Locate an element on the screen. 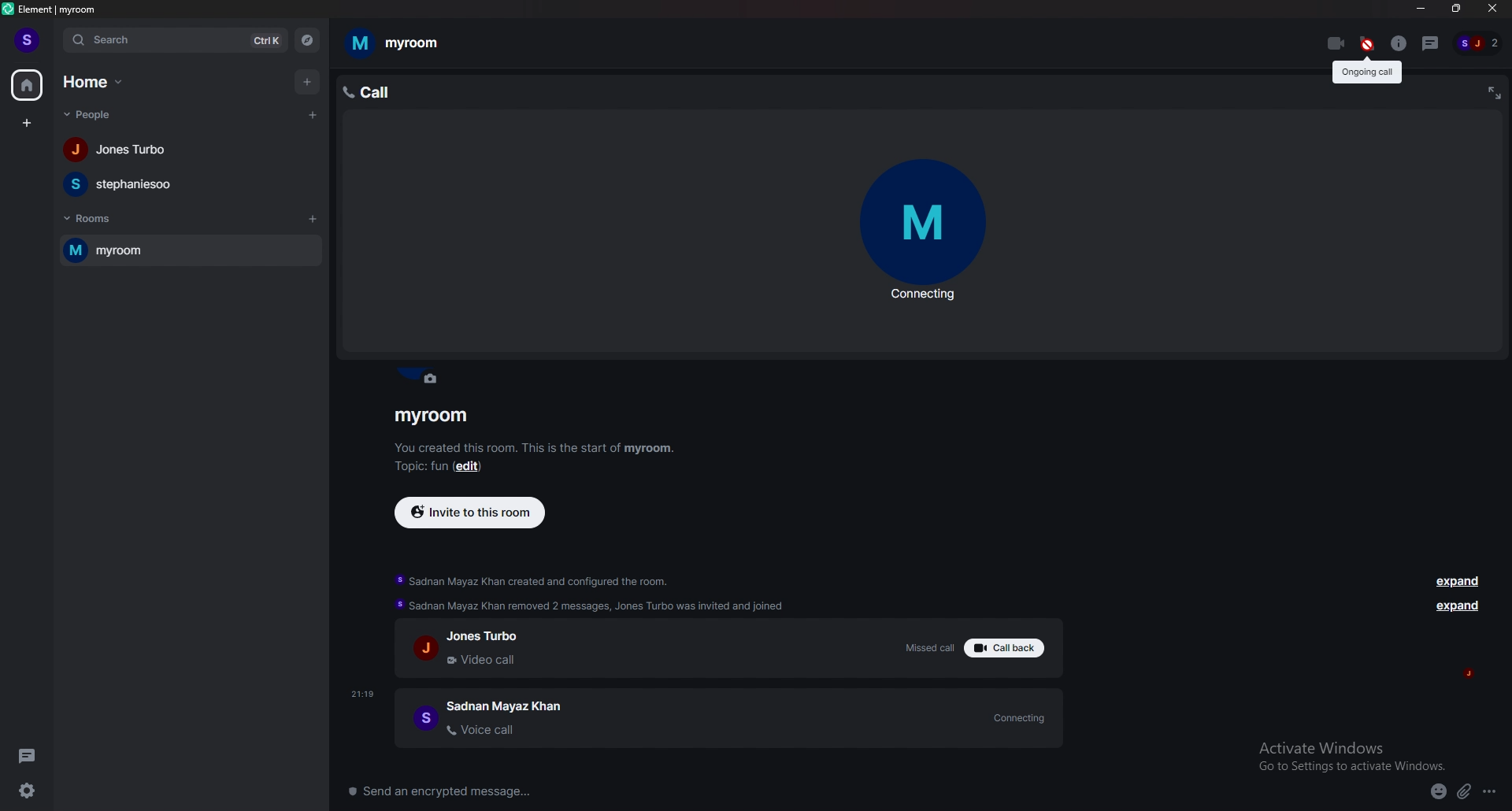 This screenshot has height=811, width=1512. home is located at coordinates (98, 82).